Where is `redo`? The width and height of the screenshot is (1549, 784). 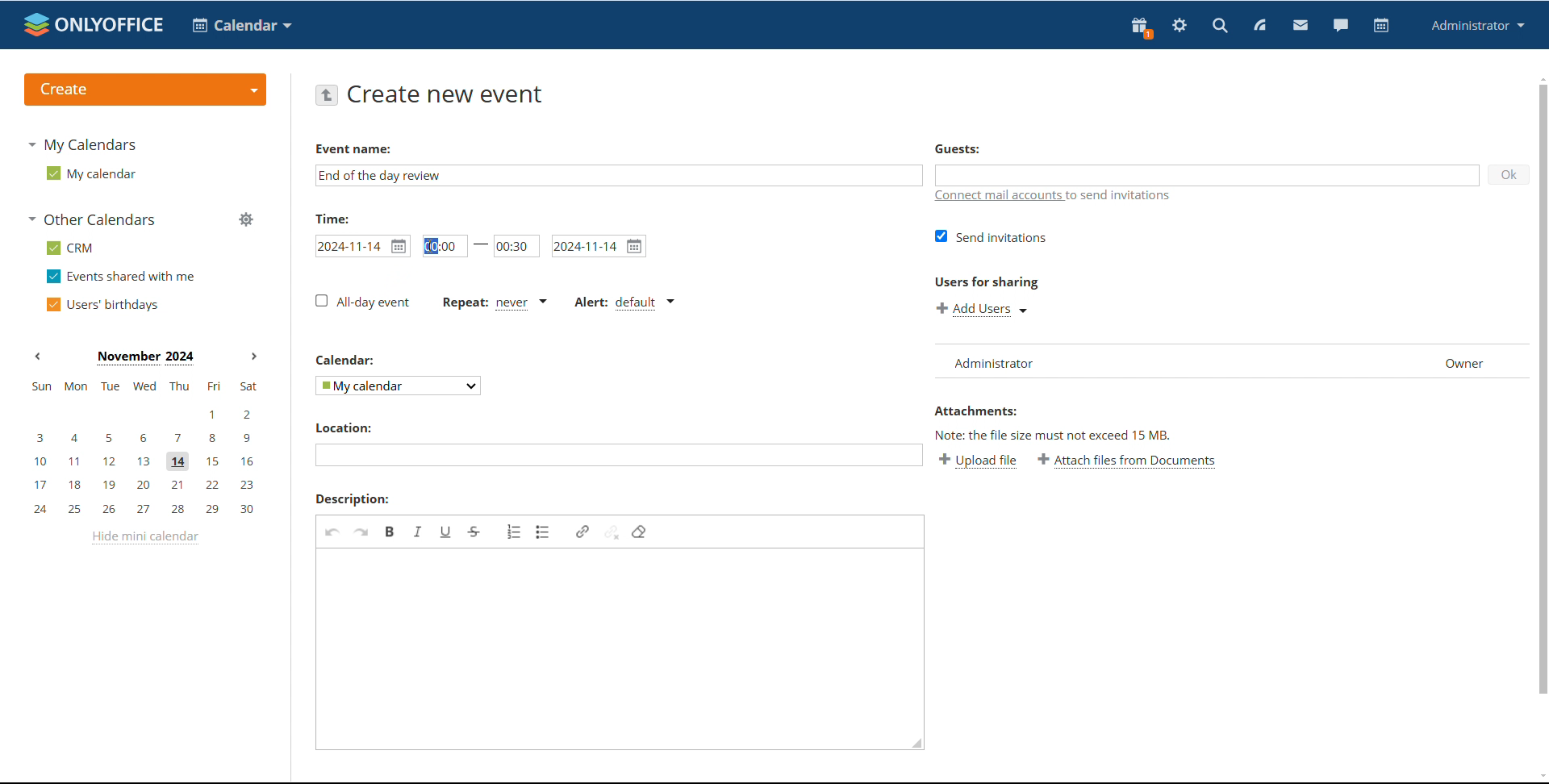
redo is located at coordinates (361, 532).